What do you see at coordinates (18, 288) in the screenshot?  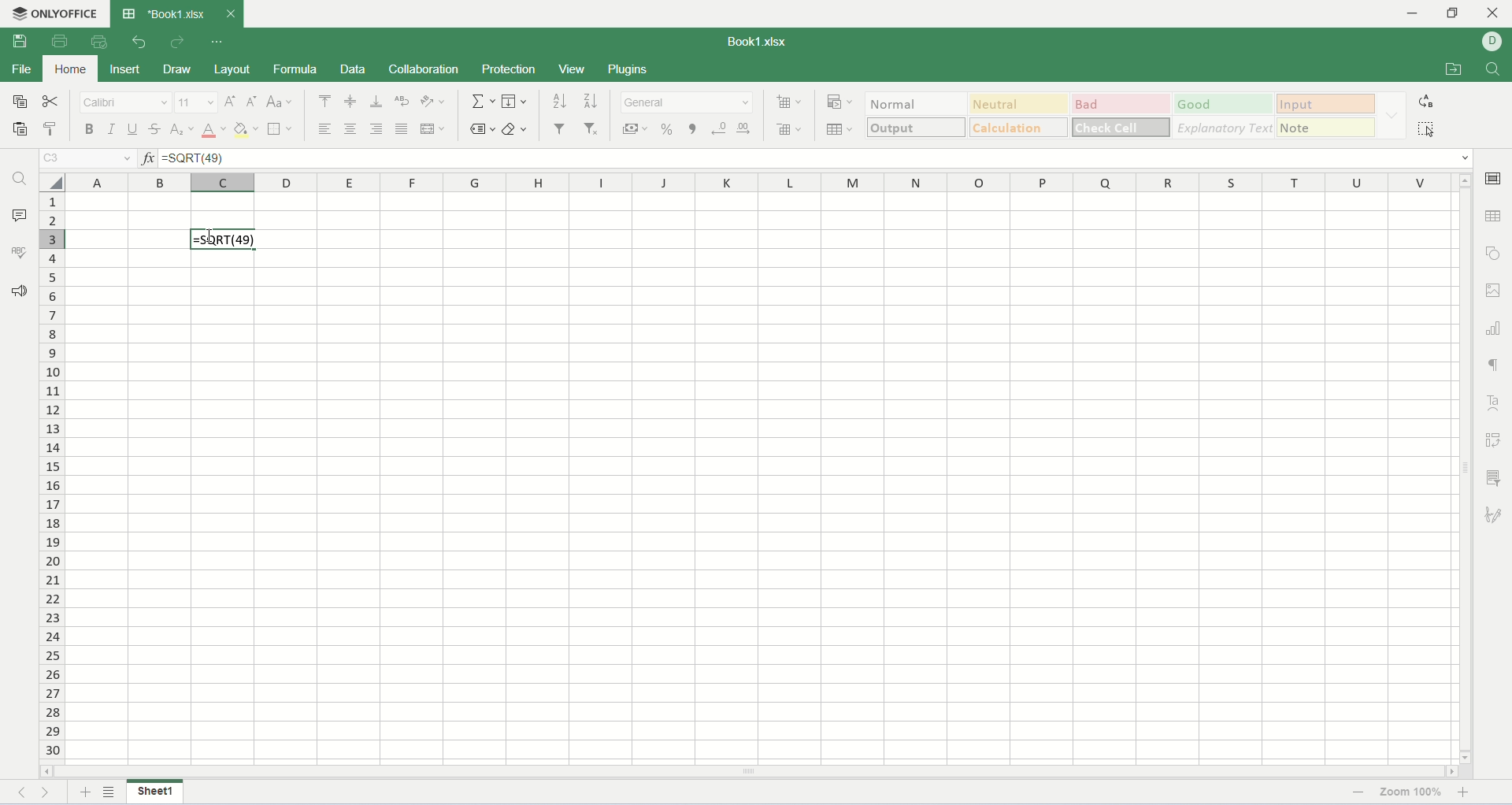 I see `feedback and support` at bounding box center [18, 288].